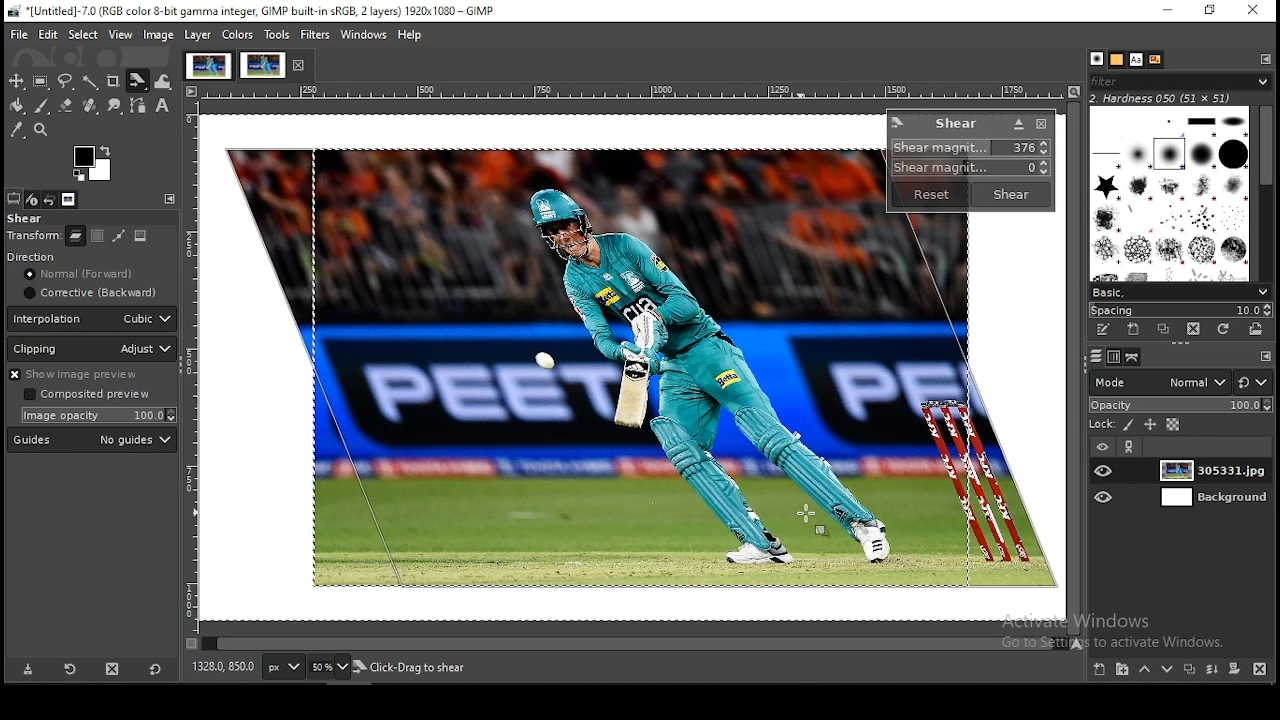  Describe the element at coordinates (277, 35) in the screenshot. I see `tools` at that location.